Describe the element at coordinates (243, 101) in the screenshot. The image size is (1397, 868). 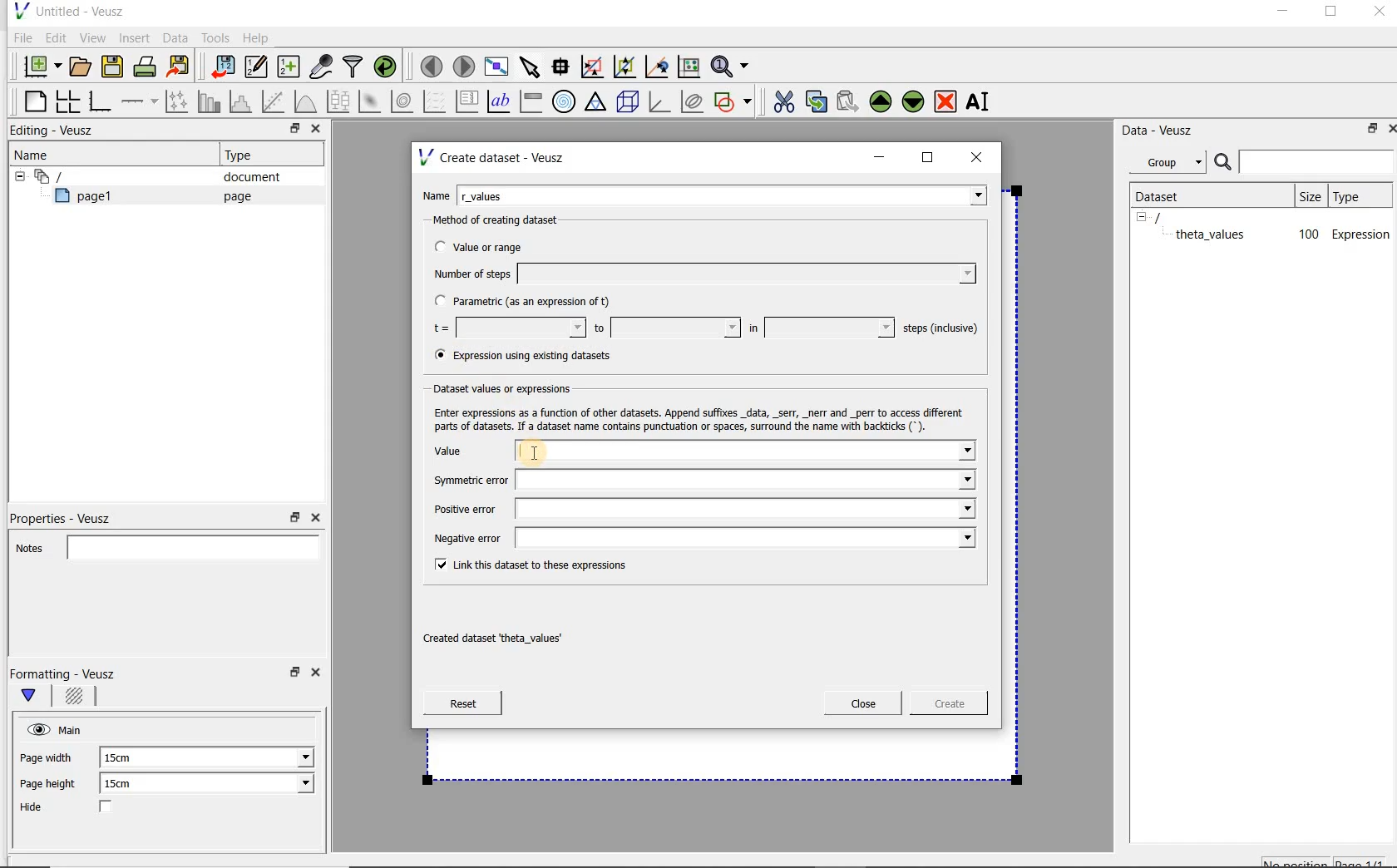
I see `histogram of a dataset` at that location.